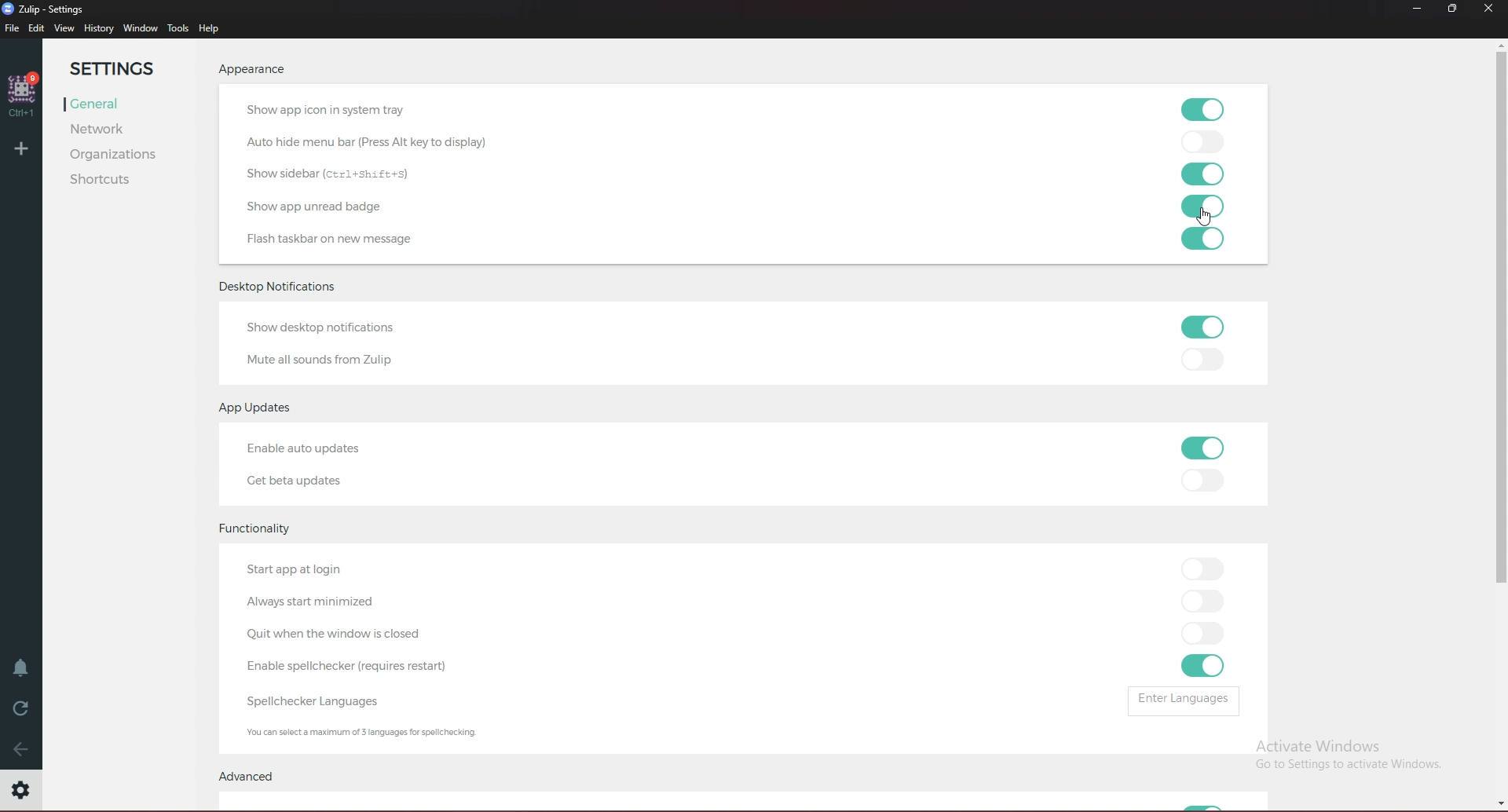 The height and width of the screenshot is (812, 1508). Describe the element at coordinates (250, 71) in the screenshot. I see `Appearance` at that location.